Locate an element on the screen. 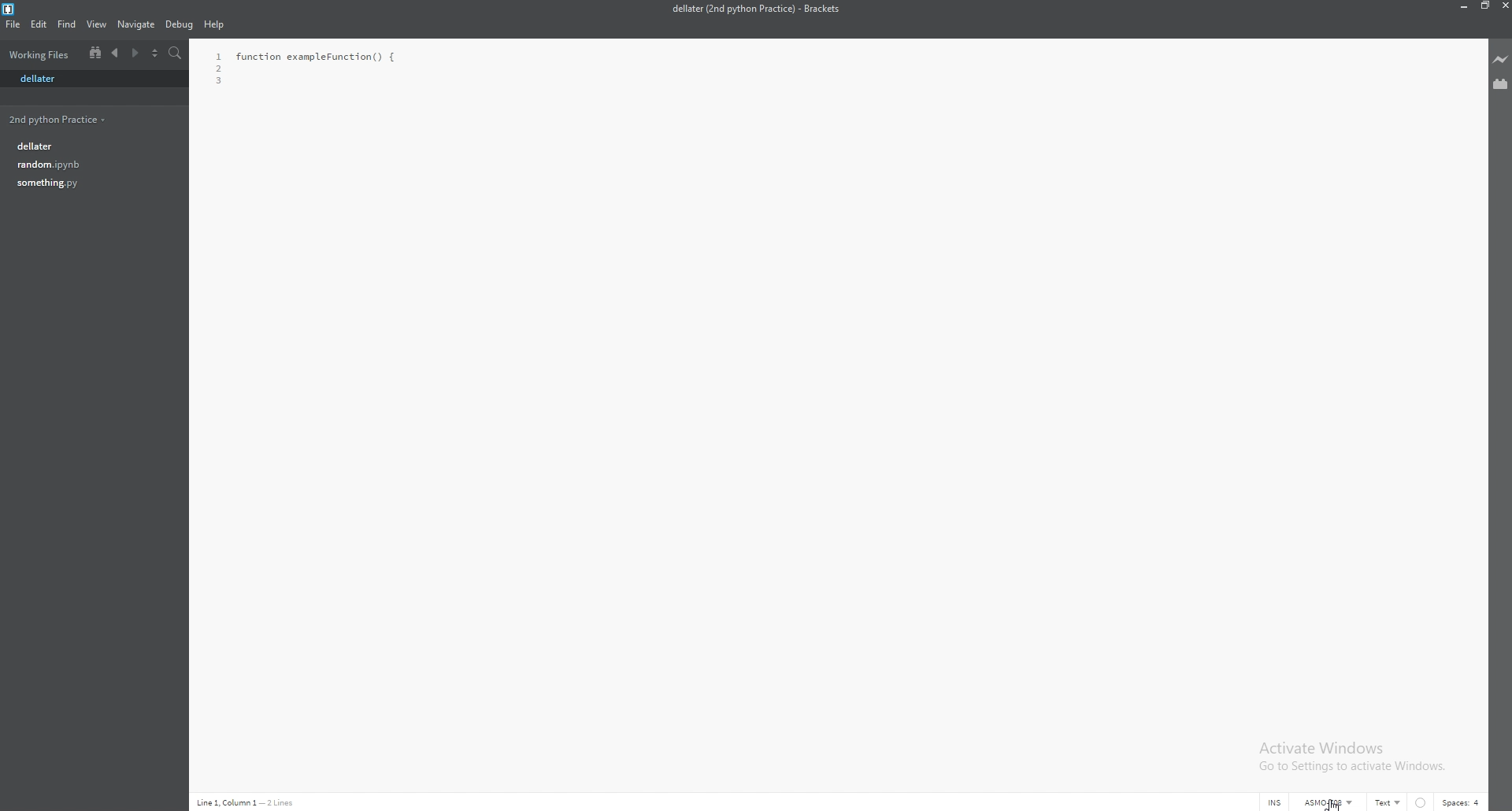 This screenshot has height=811, width=1512. 2nd python practice is located at coordinates (58, 120).